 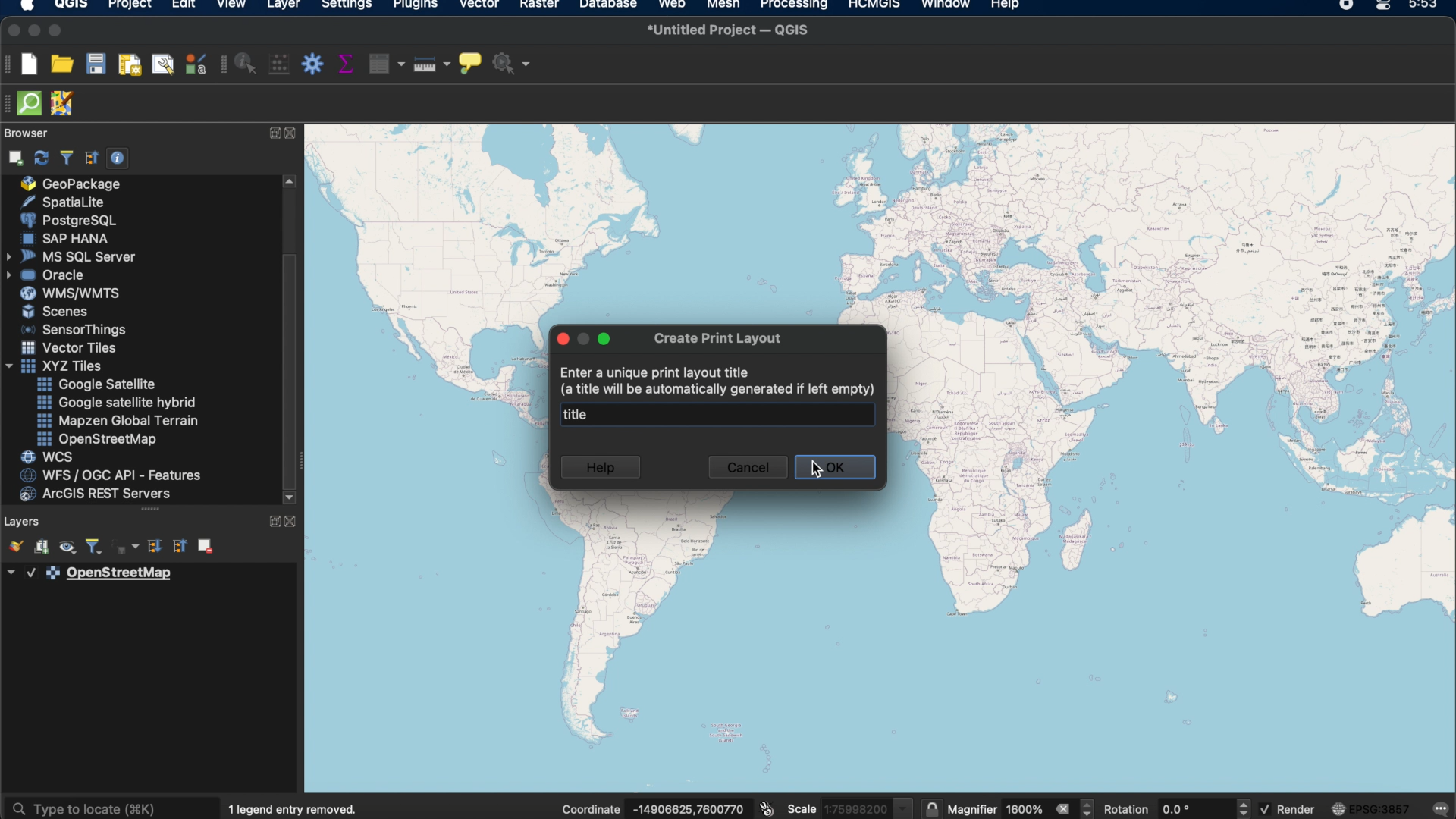 I want to click on enable/disable properties widget, so click(x=119, y=157).